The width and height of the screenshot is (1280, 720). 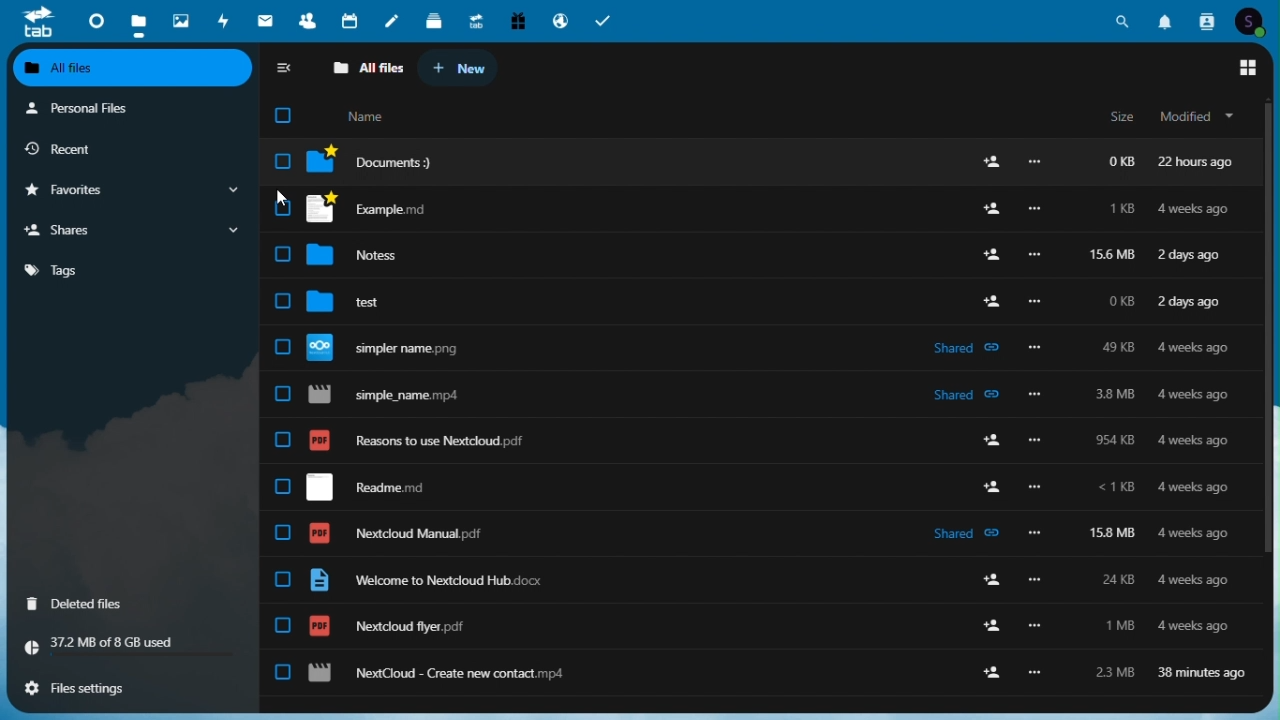 What do you see at coordinates (284, 68) in the screenshot?
I see `Collapse side bar` at bounding box center [284, 68].